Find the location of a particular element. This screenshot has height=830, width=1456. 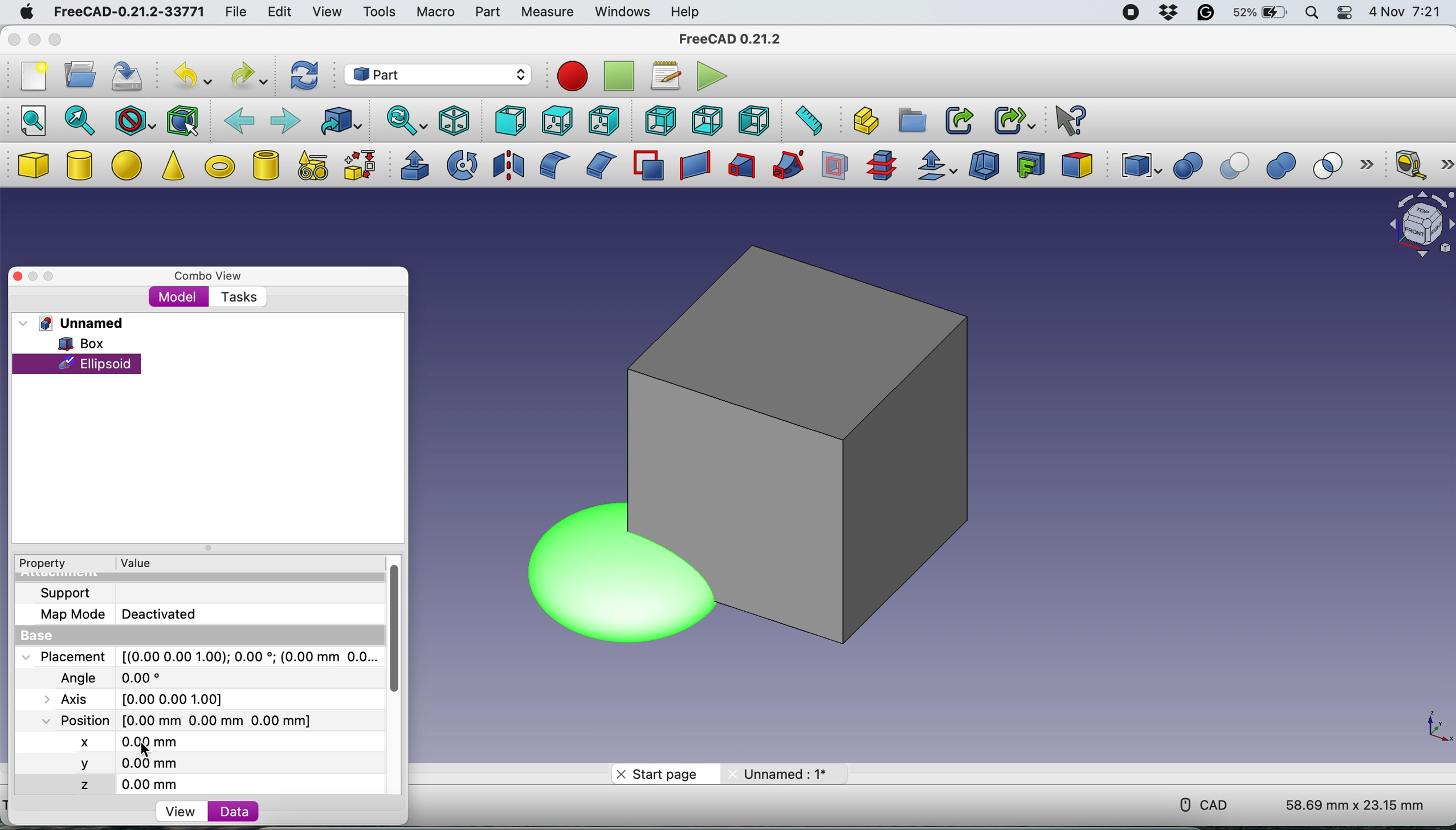

minimise is located at coordinates (32, 40).